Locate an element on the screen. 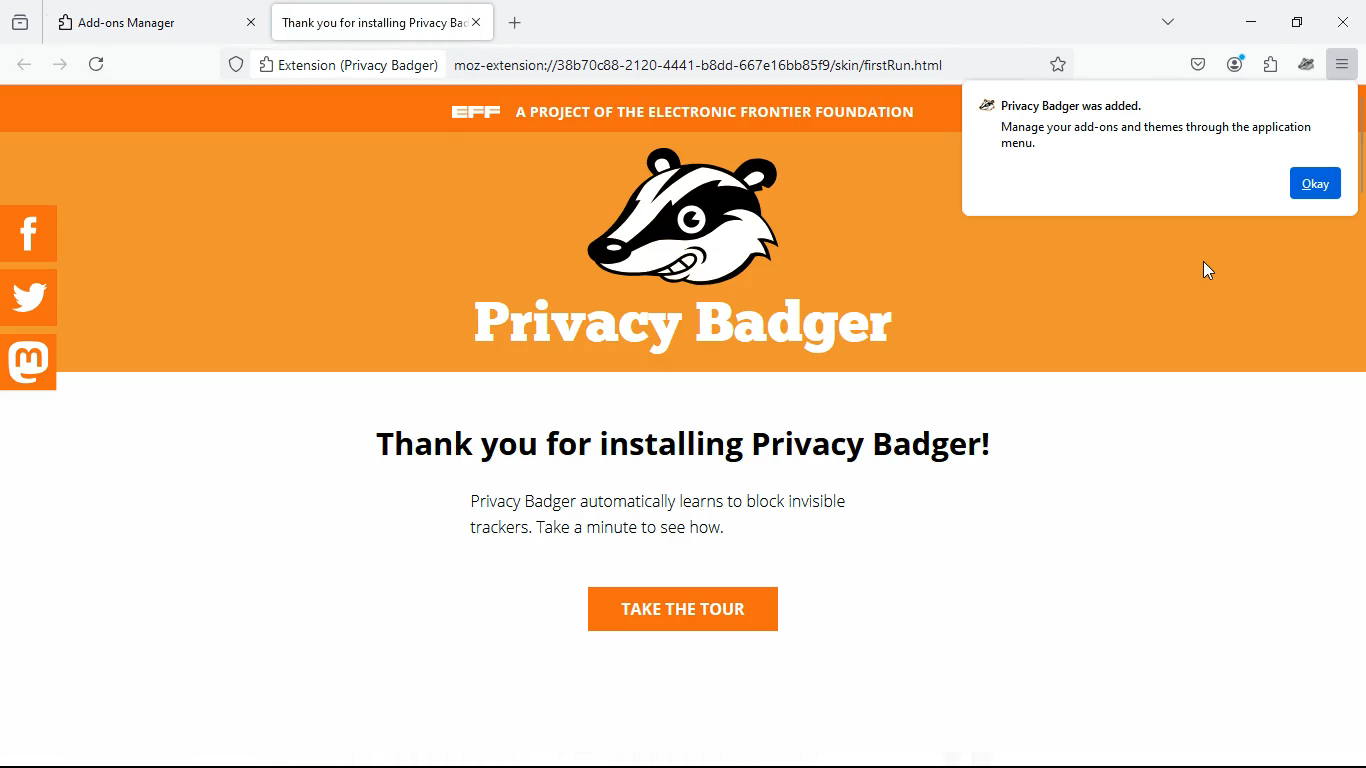  extensions is located at coordinates (1270, 63).